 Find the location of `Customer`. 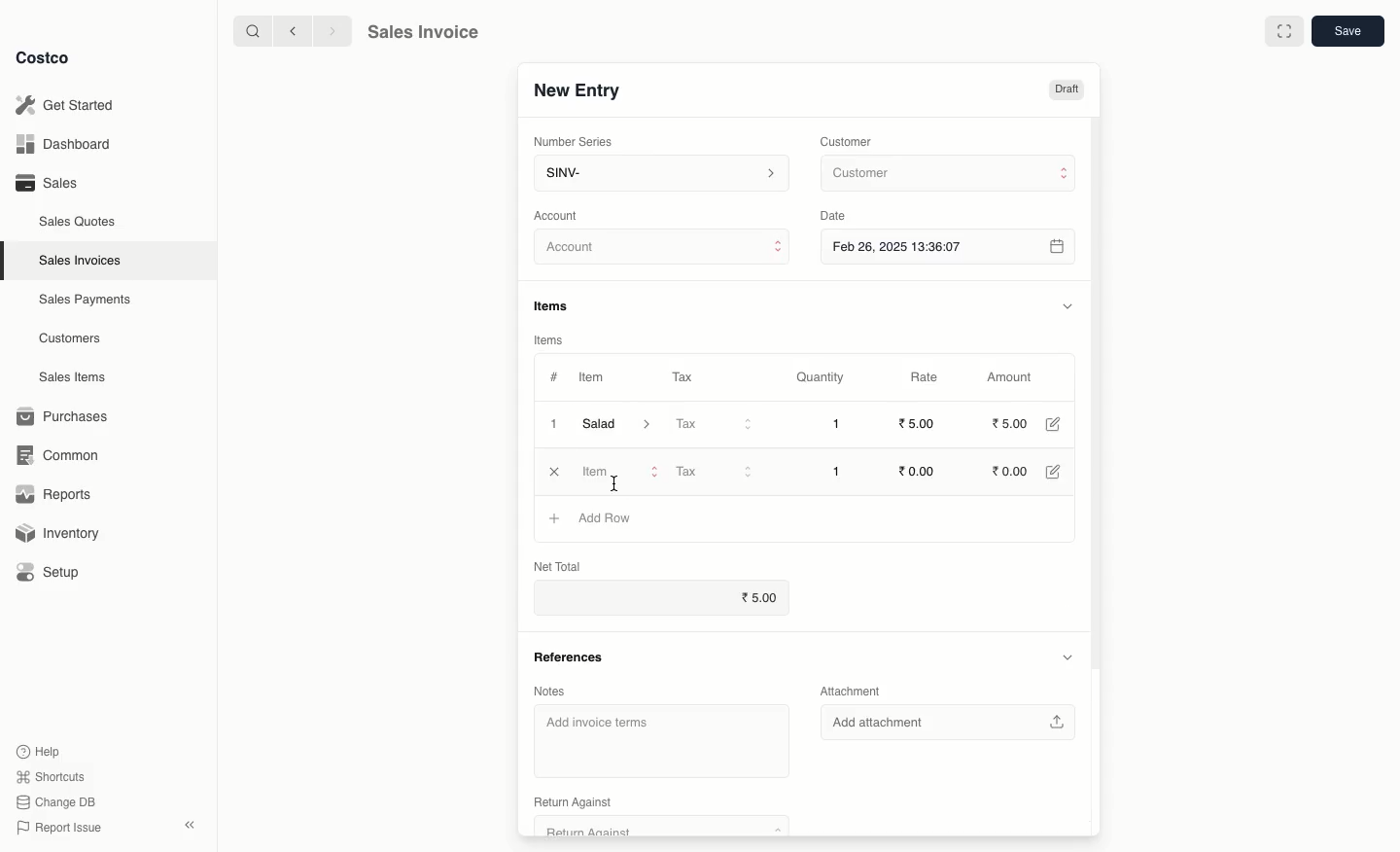

Customer is located at coordinates (946, 174).